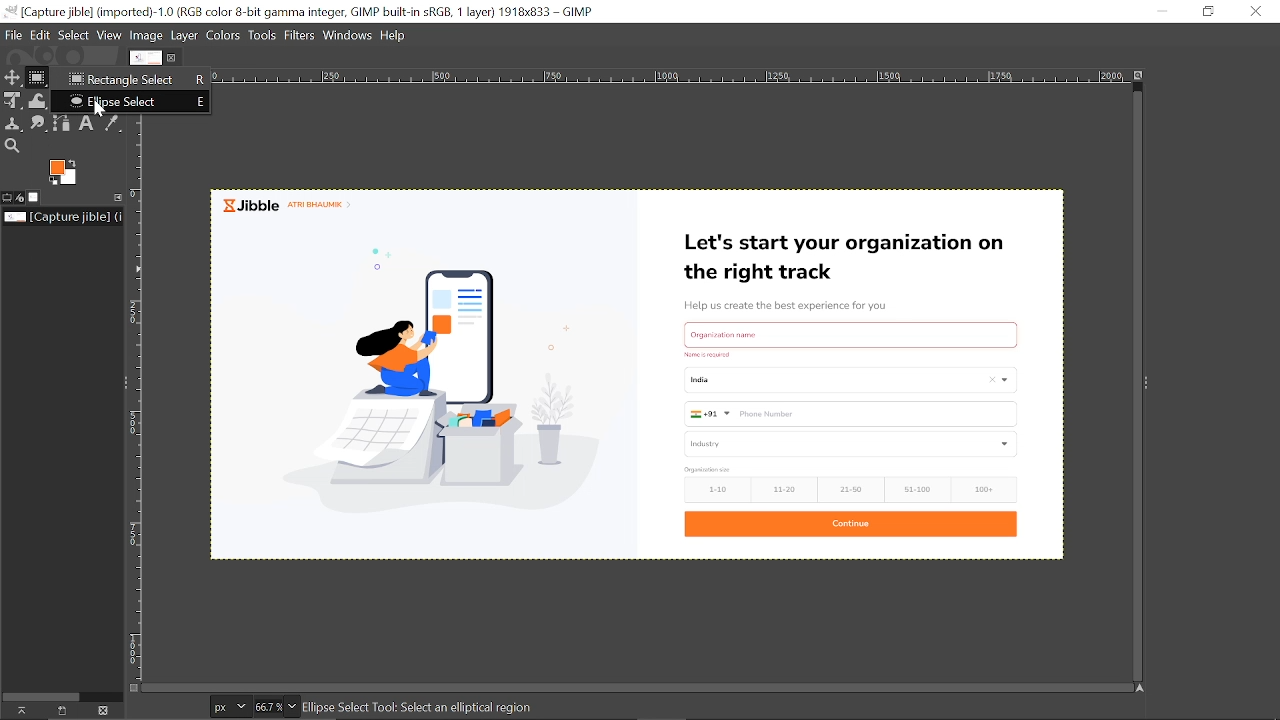  Describe the element at coordinates (1255, 11) in the screenshot. I see `Close` at that location.